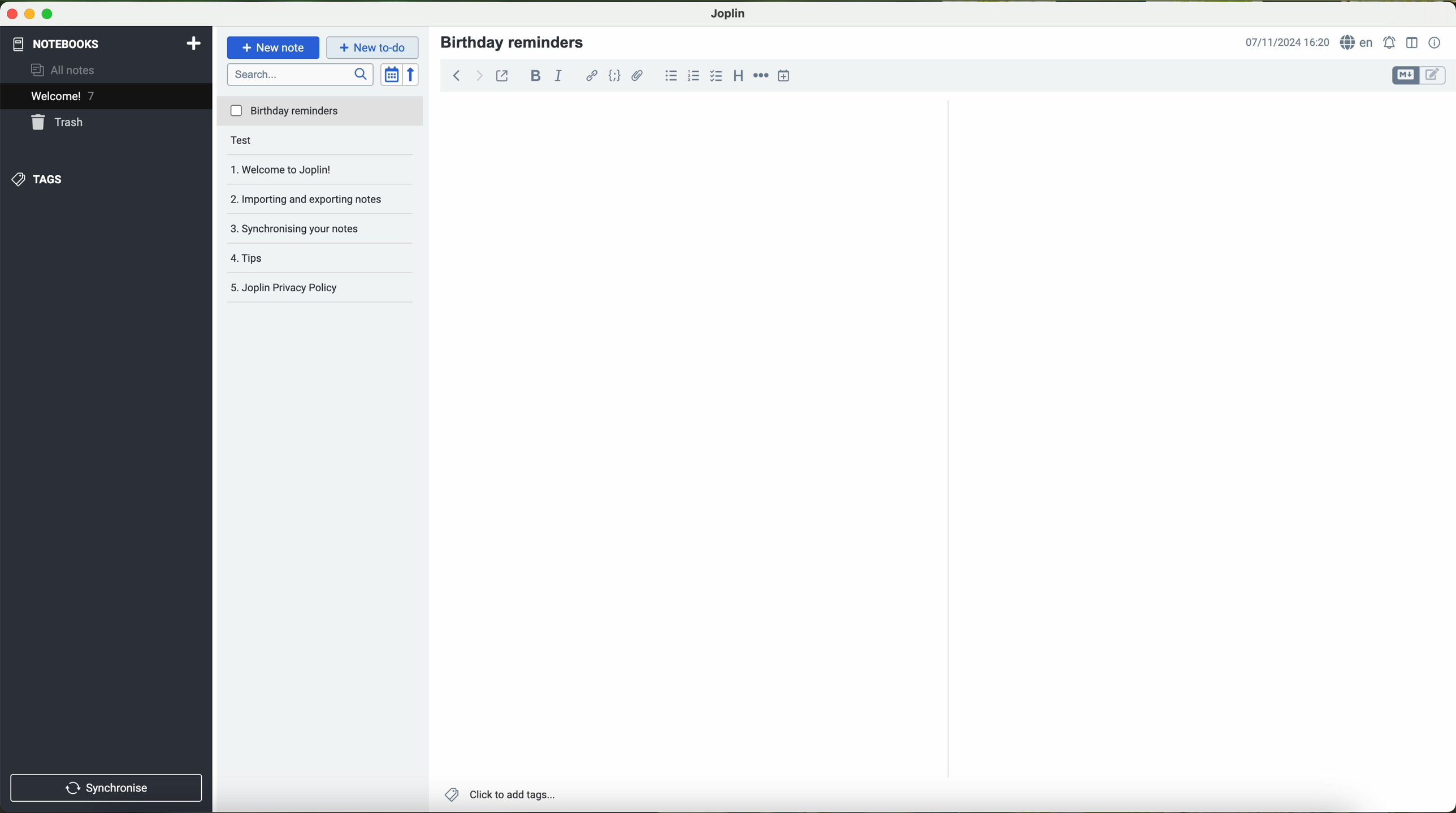 This screenshot has width=1456, height=813. What do you see at coordinates (304, 227) in the screenshot?
I see `synchronising your notes` at bounding box center [304, 227].